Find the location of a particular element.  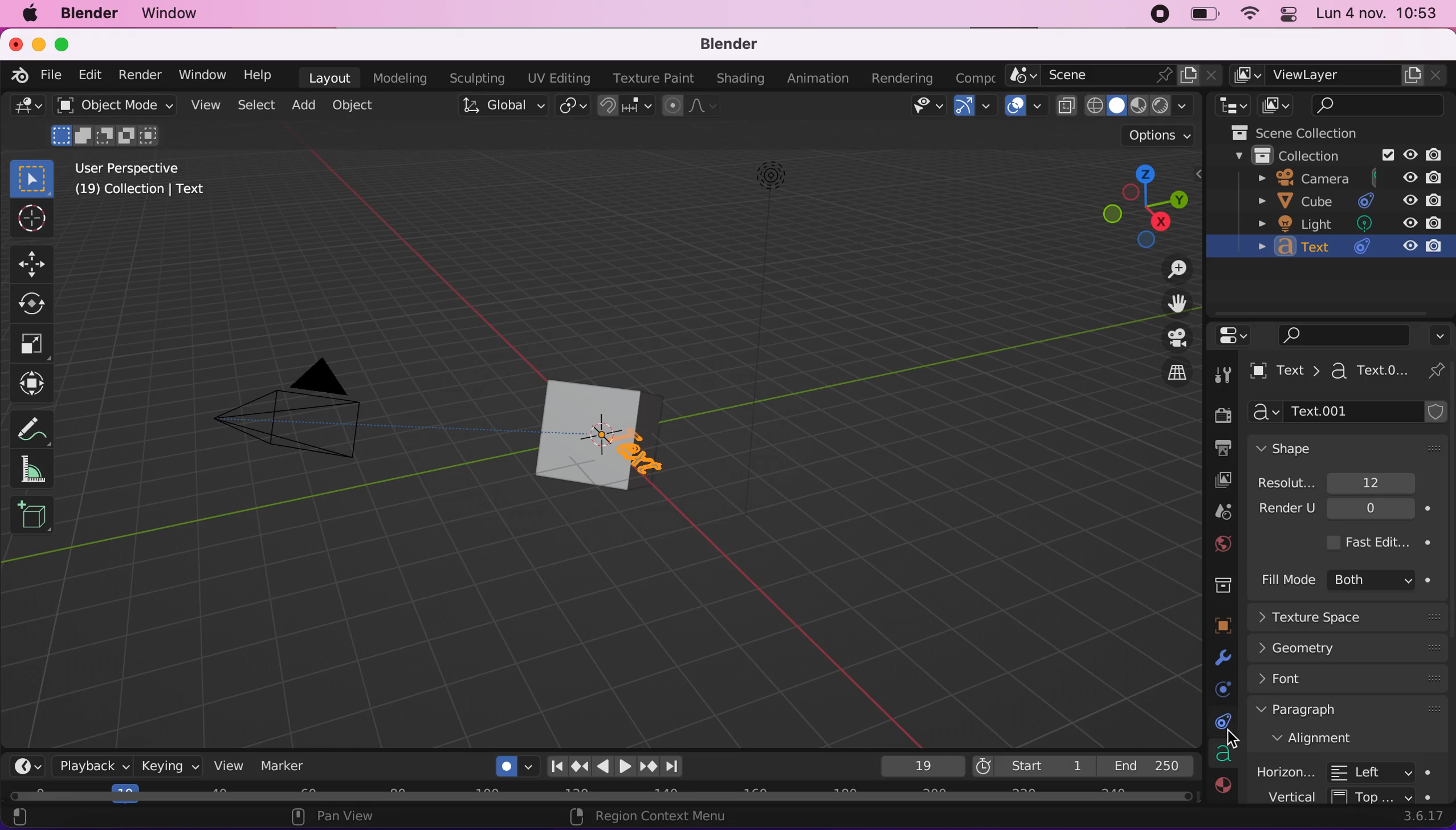

transformation orientation is located at coordinates (501, 107).